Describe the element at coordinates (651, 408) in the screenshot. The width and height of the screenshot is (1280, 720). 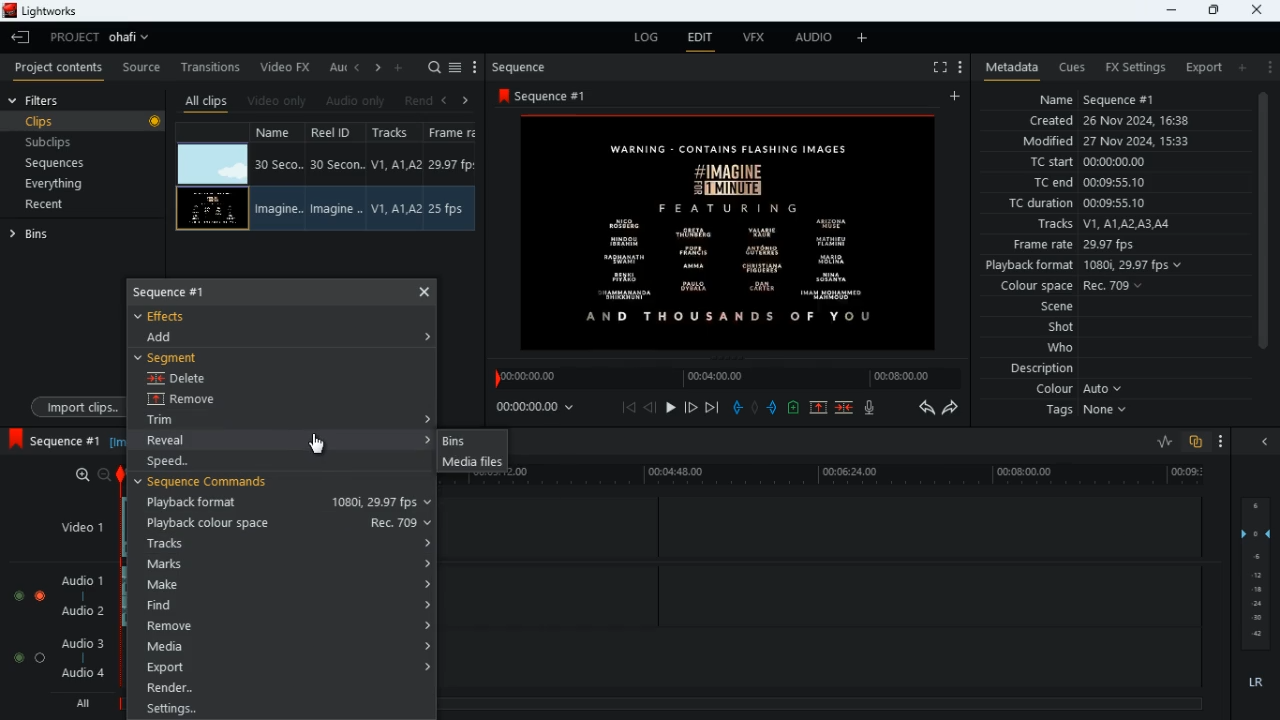
I see `back` at that location.